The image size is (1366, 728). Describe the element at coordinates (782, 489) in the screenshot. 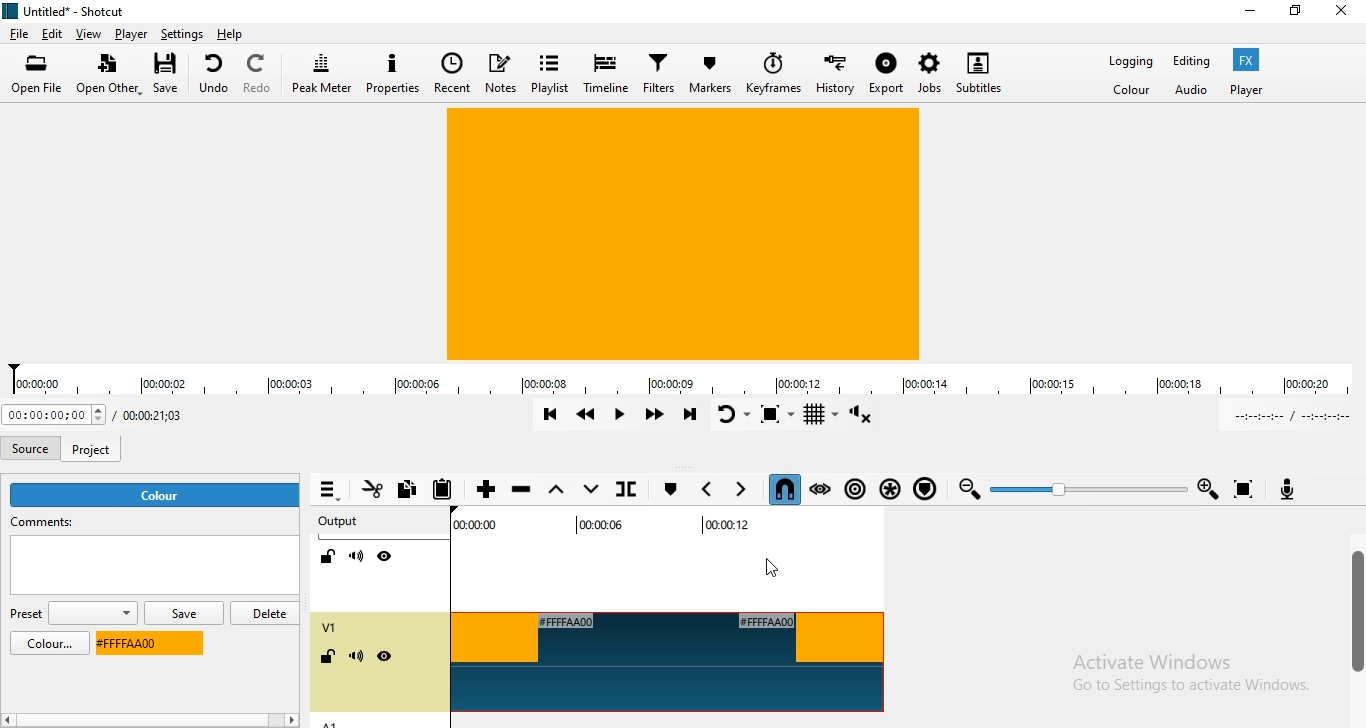

I see `Snap` at that location.